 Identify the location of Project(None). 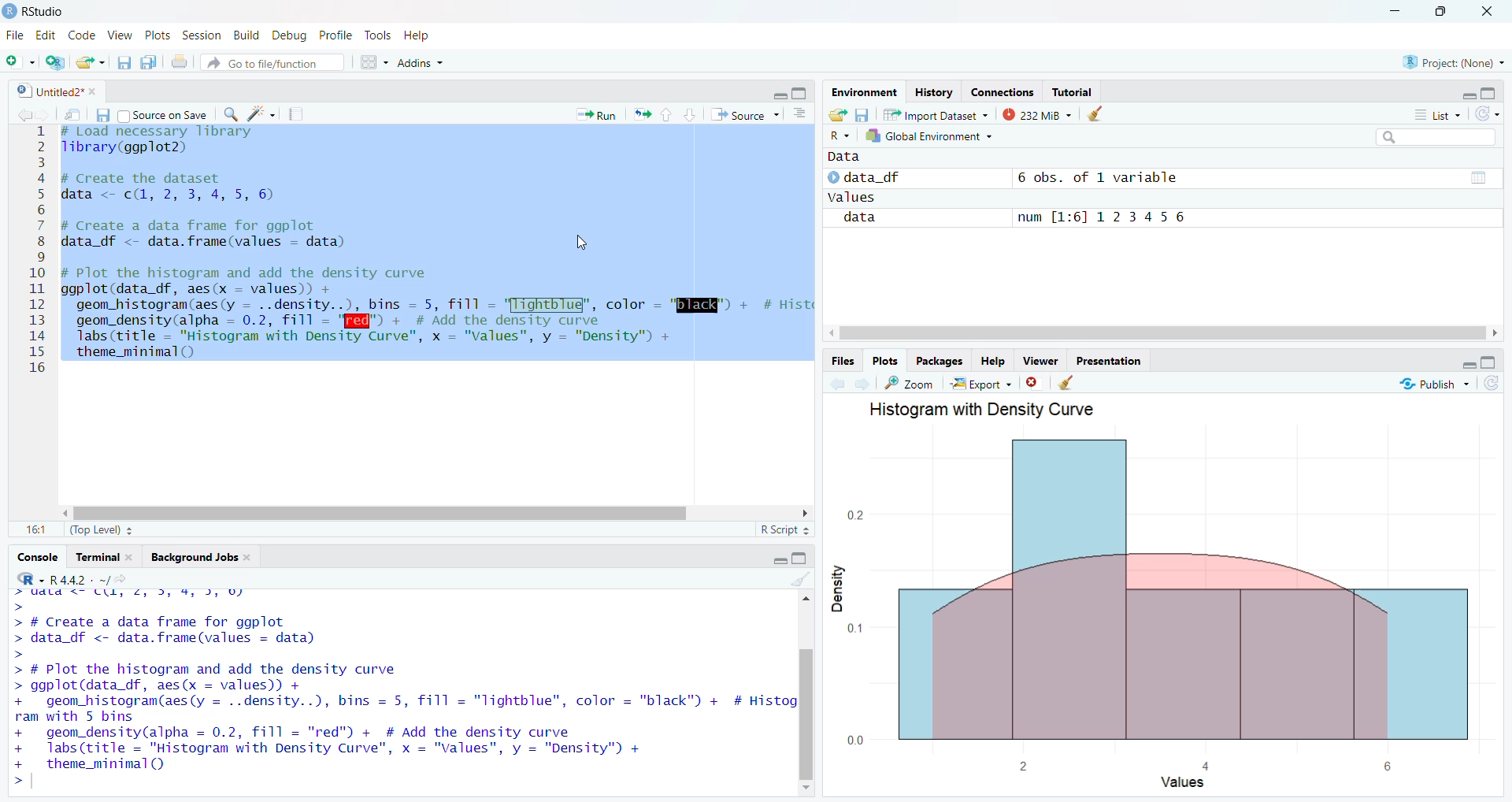
(1458, 62).